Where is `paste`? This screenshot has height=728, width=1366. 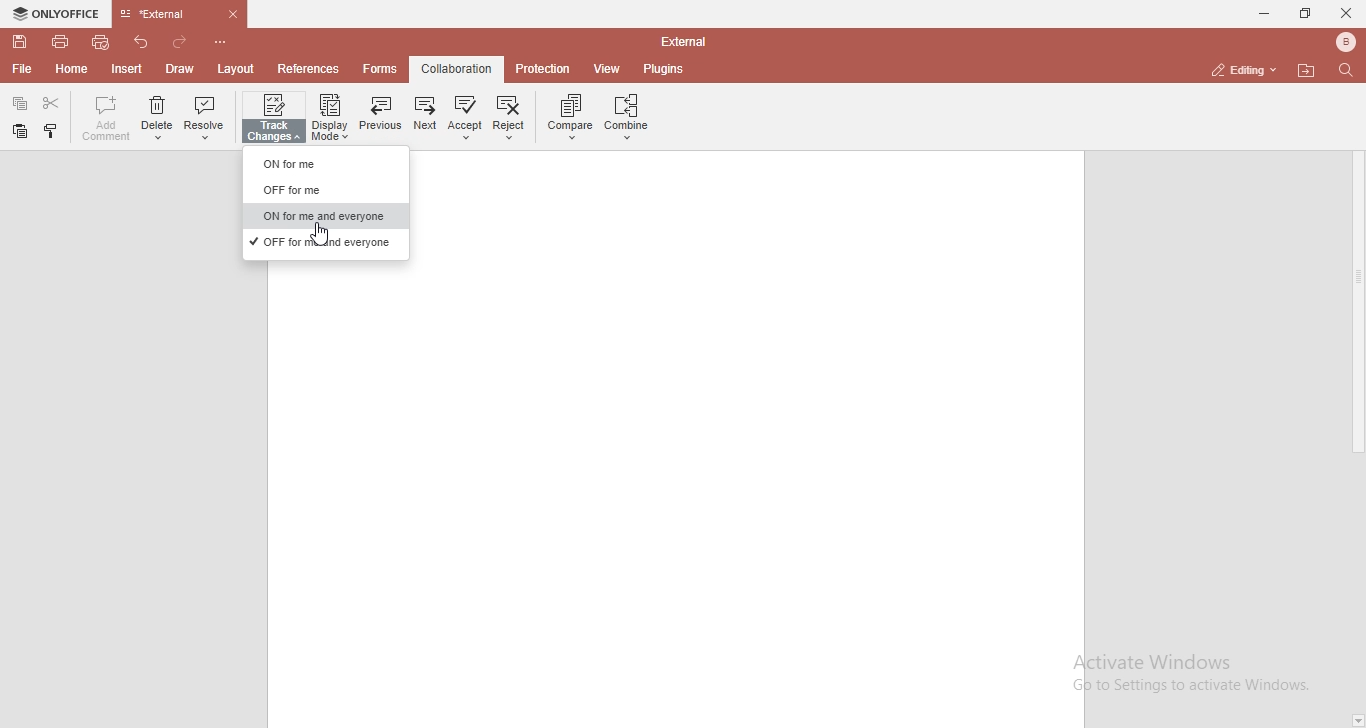 paste is located at coordinates (49, 130).